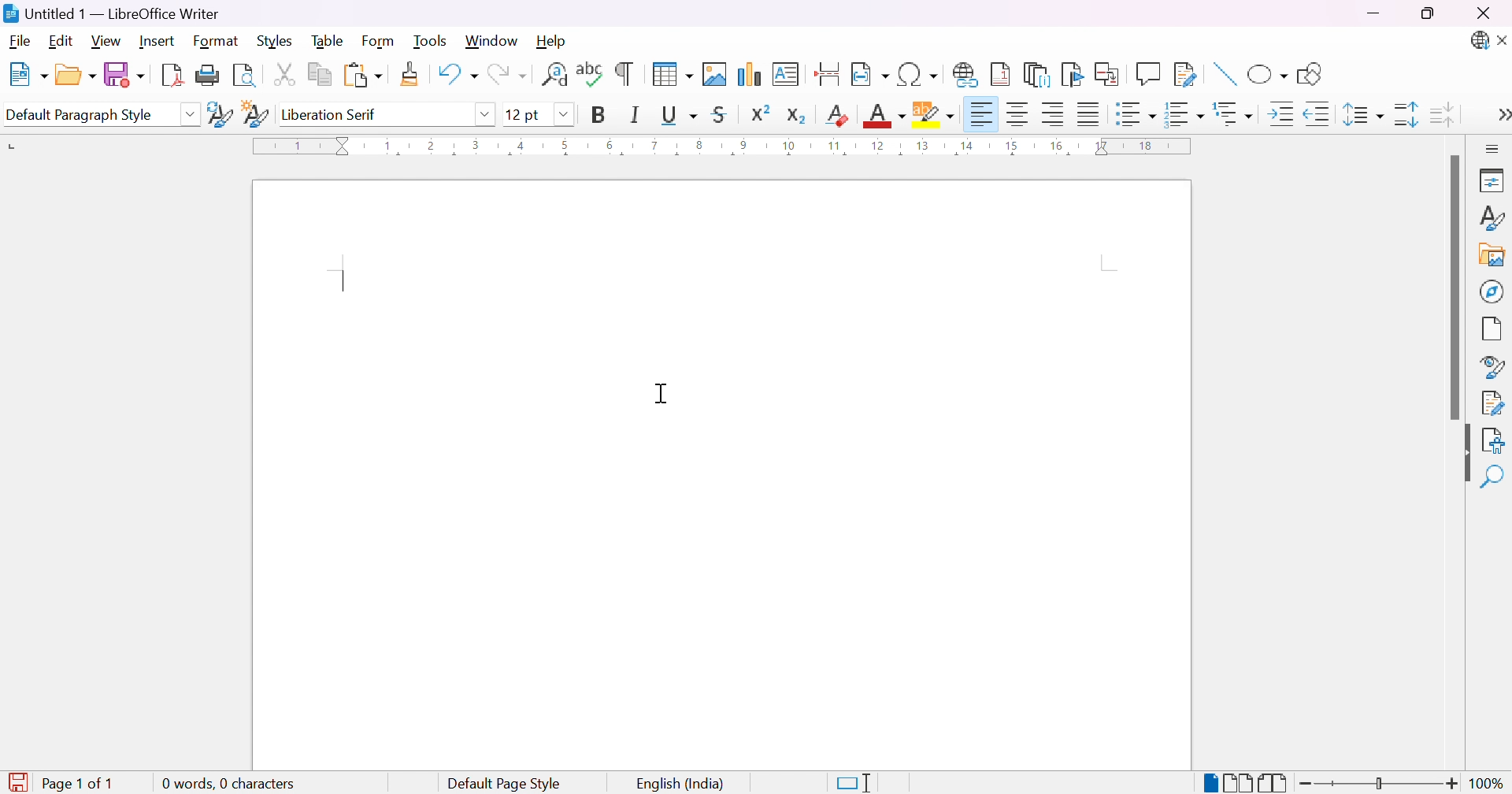 This screenshot has width=1512, height=794. I want to click on Insert table, so click(672, 73).